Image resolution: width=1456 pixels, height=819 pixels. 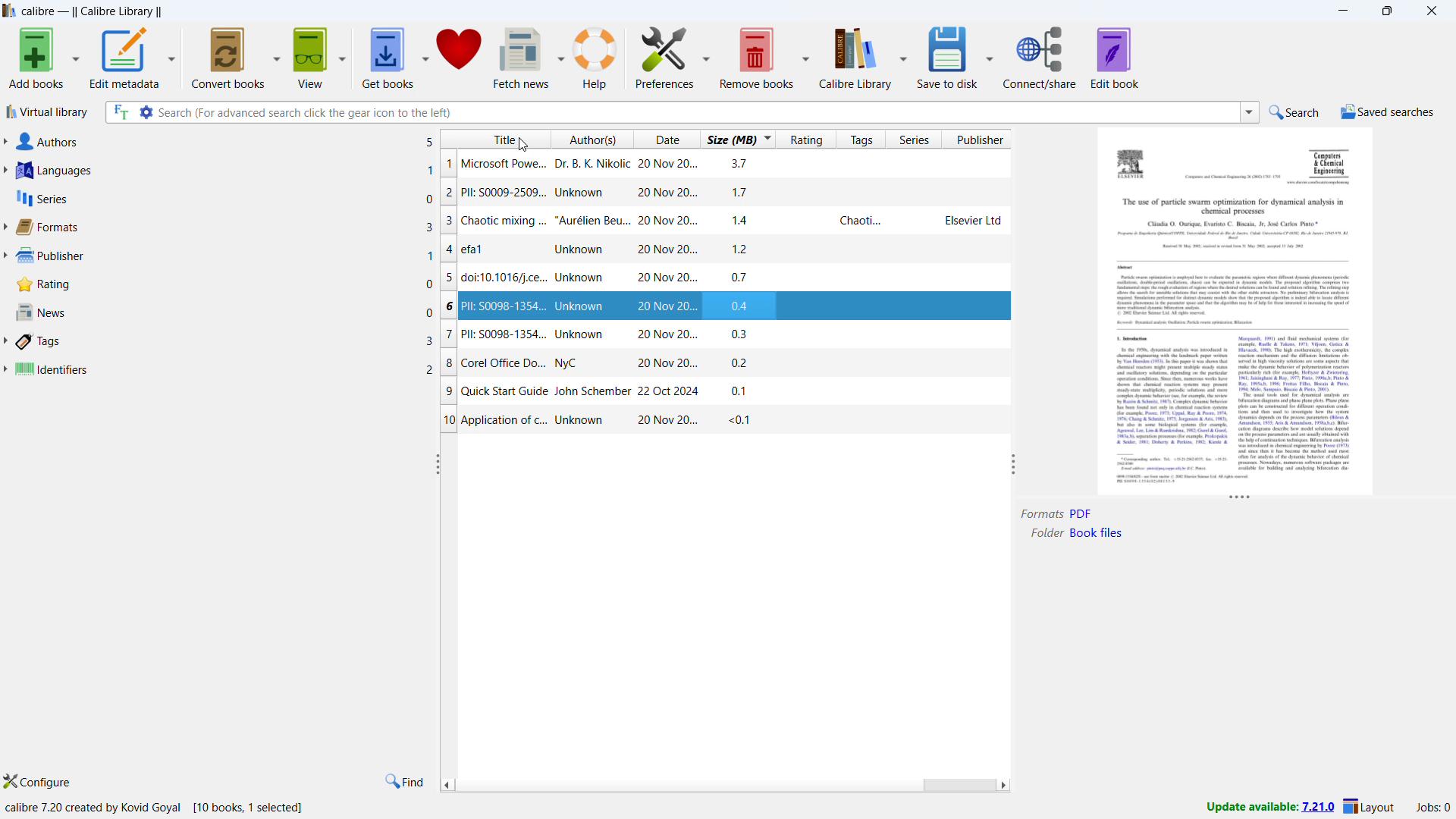 What do you see at coordinates (223, 285) in the screenshot?
I see `rating` at bounding box center [223, 285].